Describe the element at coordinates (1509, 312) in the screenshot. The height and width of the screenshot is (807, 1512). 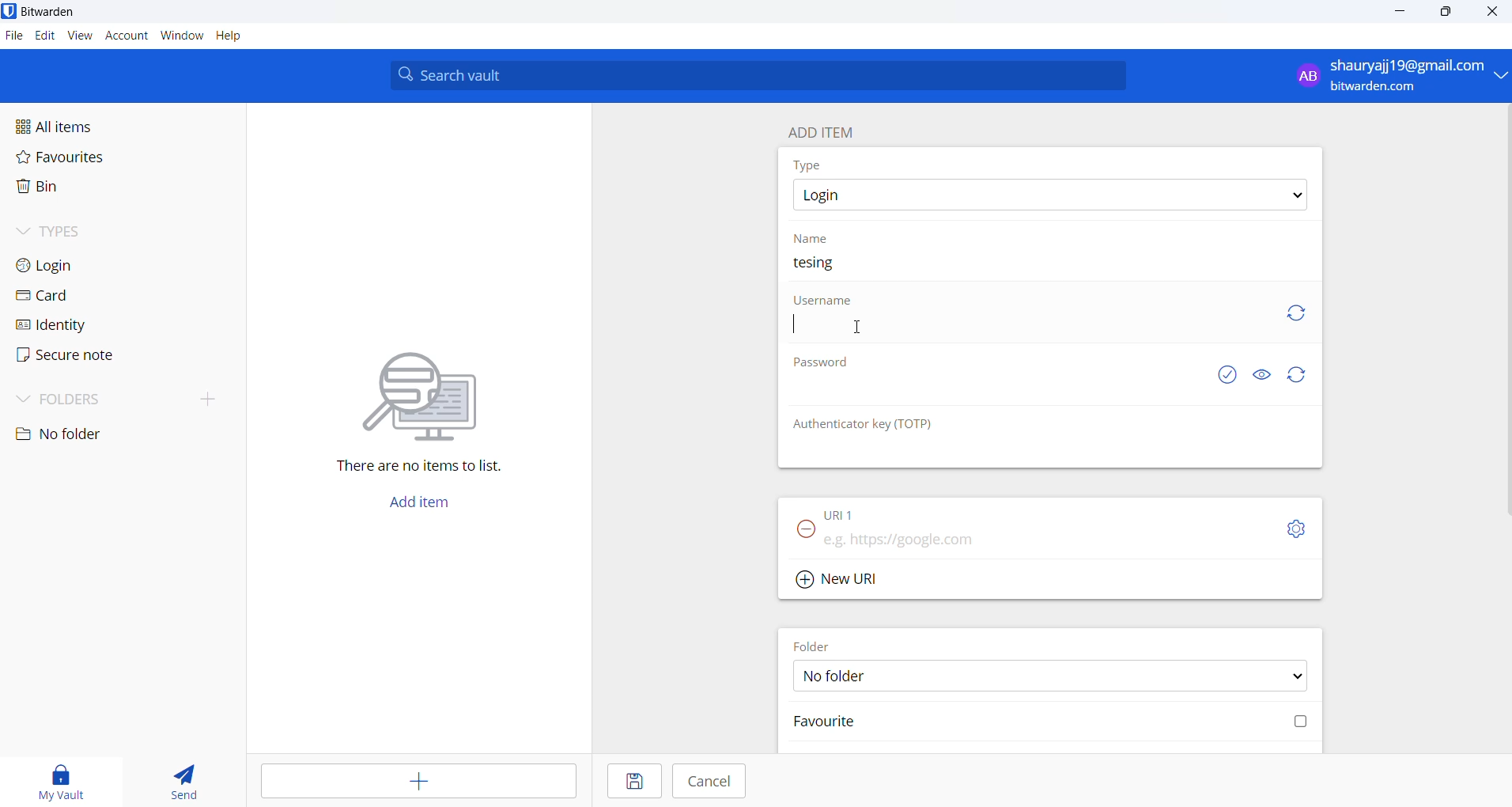
I see `scrollbar` at that location.